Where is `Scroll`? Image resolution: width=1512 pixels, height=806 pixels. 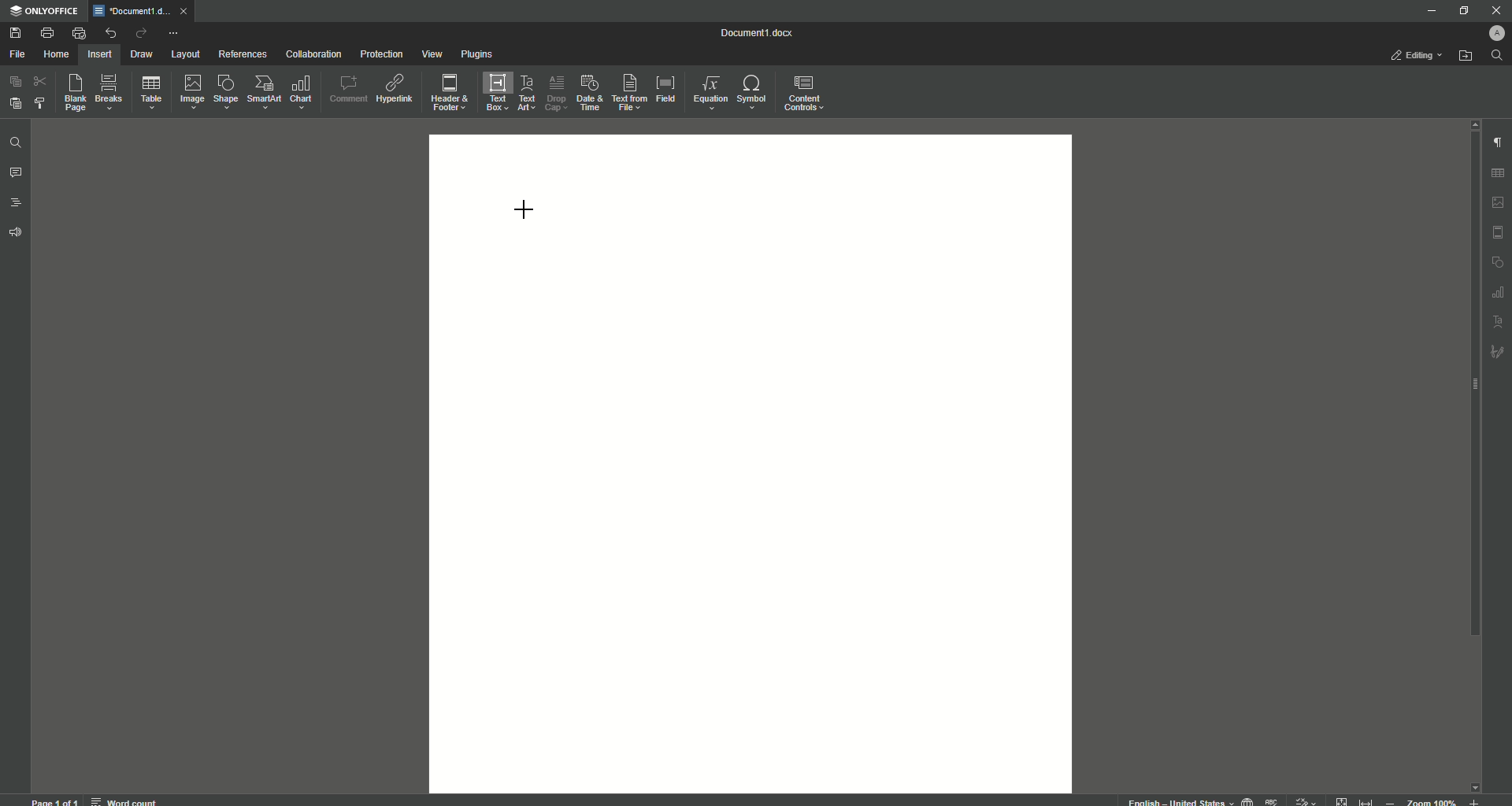 Scroll is located at coordinates (1470, 394).